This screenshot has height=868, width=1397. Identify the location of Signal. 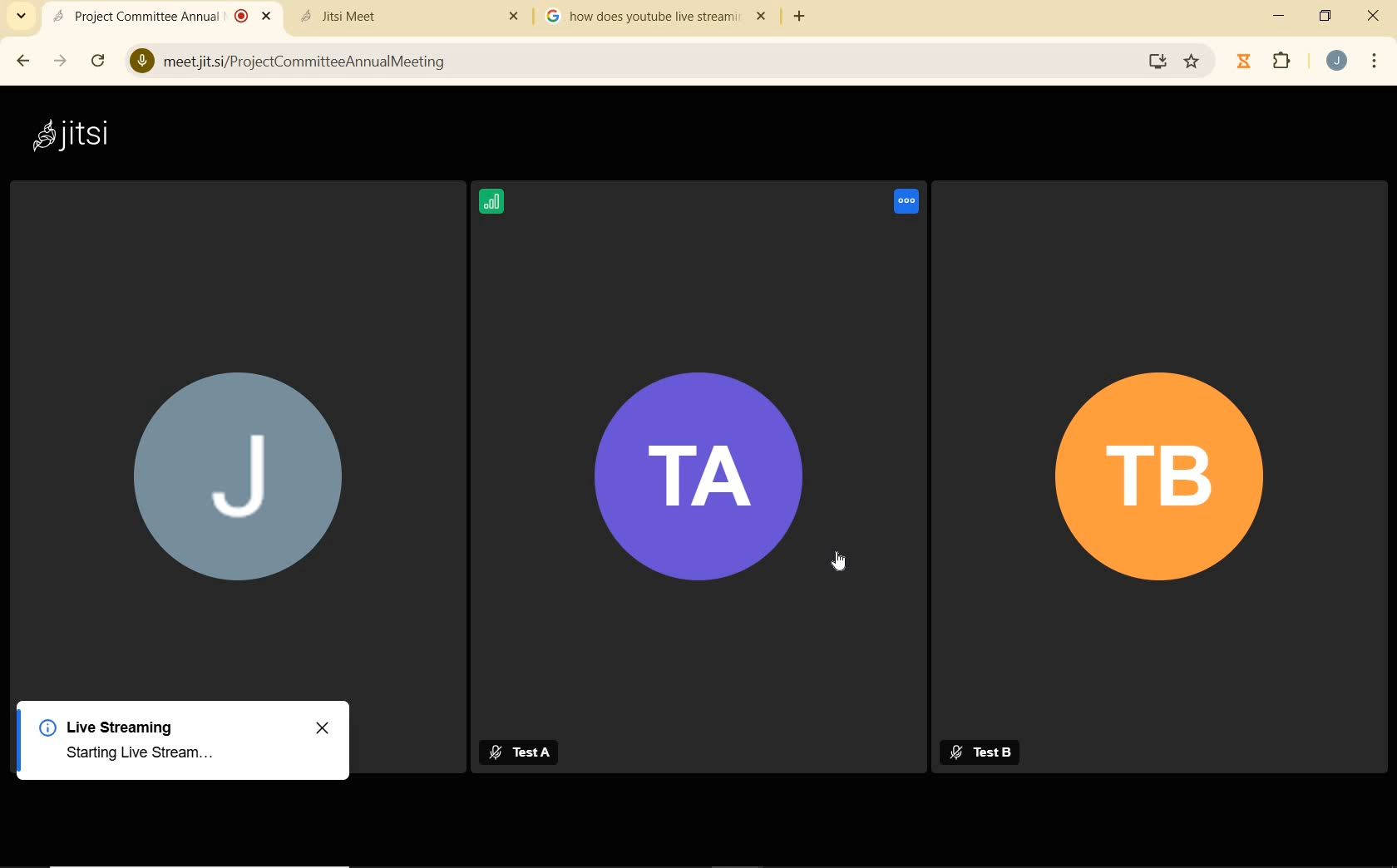
(498, 199).